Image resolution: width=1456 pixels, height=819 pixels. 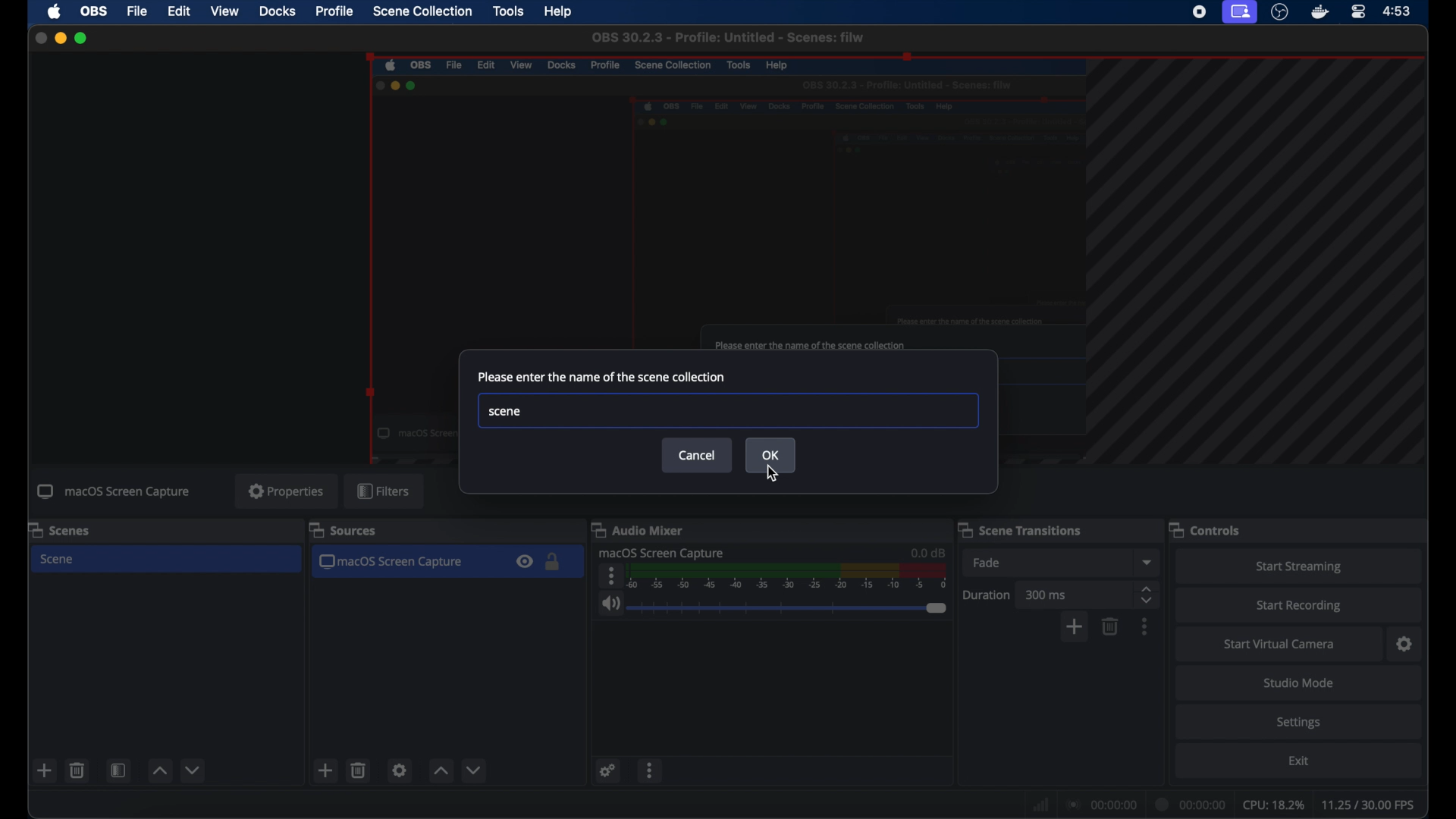 What do you see at coordinates (727, 37) in the screenshot?
I see `OBS 30.2.3 - Profile: Untitled -Scenes : filw` at bounding box center [727, 37].